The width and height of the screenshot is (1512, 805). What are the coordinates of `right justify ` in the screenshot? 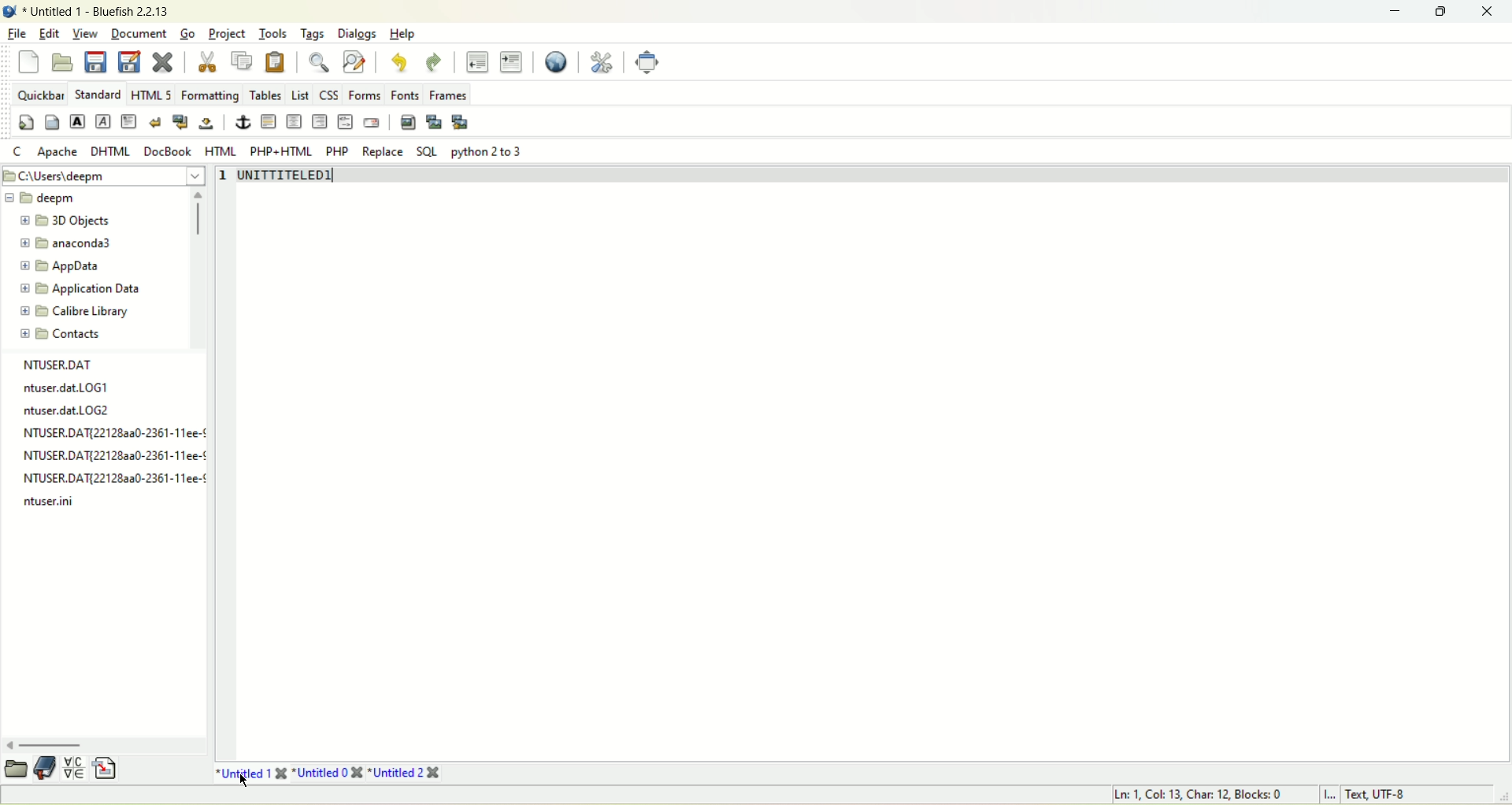 It's located at (320, 125).